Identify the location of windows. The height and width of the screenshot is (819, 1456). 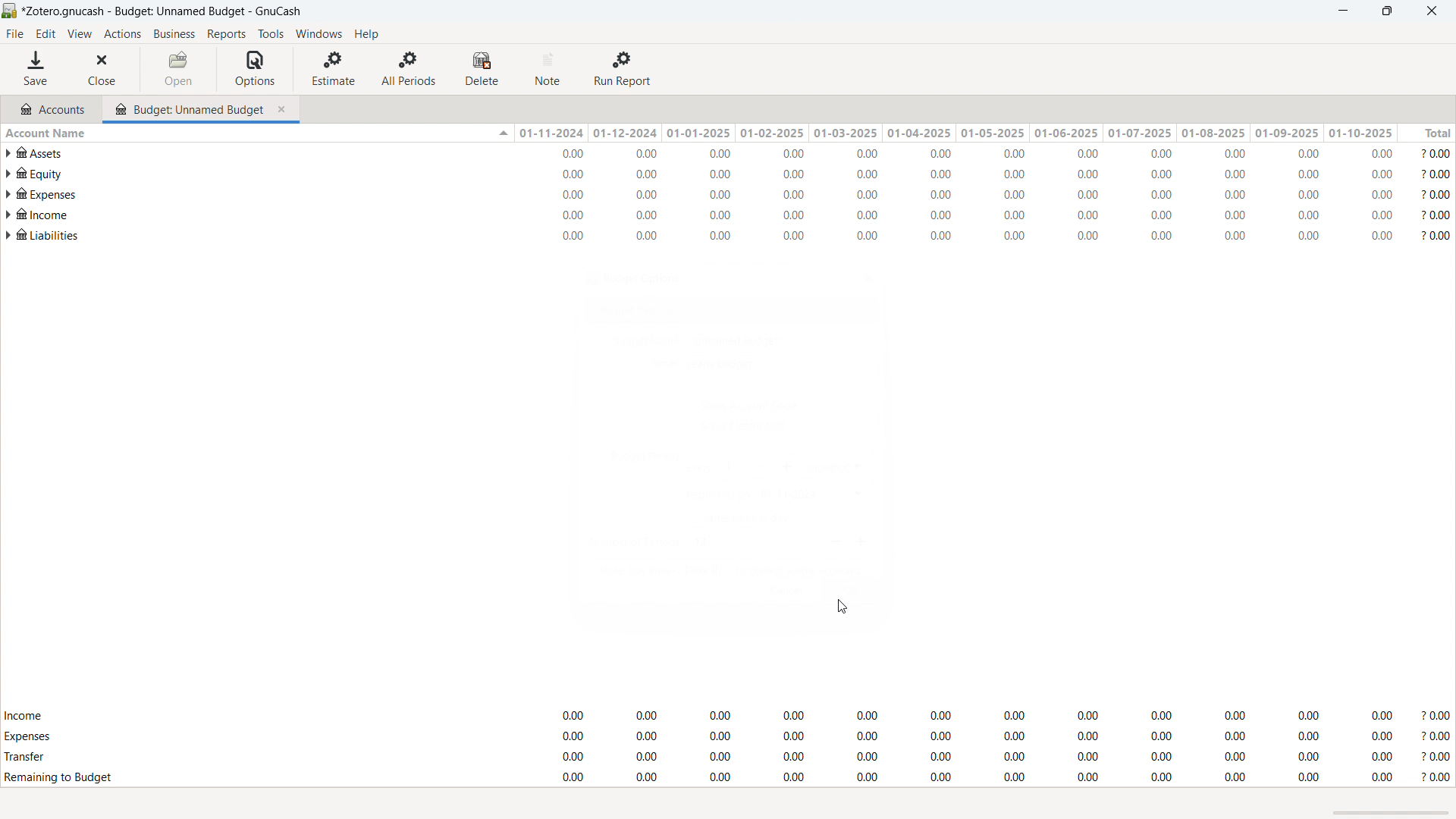
(319, 34).